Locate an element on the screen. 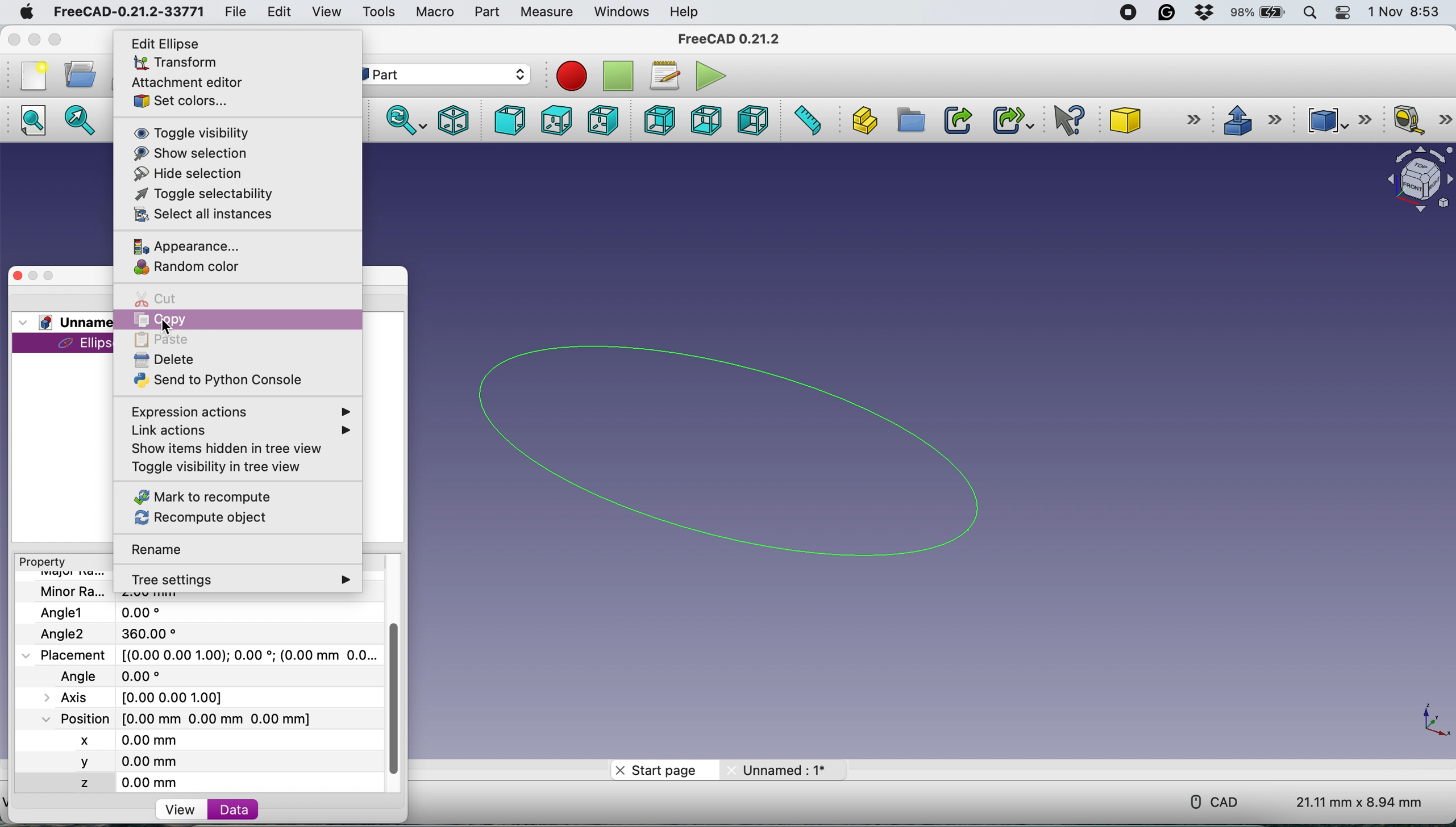 The height and width of the screenshot is (827, 1456). control center is located at coordinates (1341, 13).